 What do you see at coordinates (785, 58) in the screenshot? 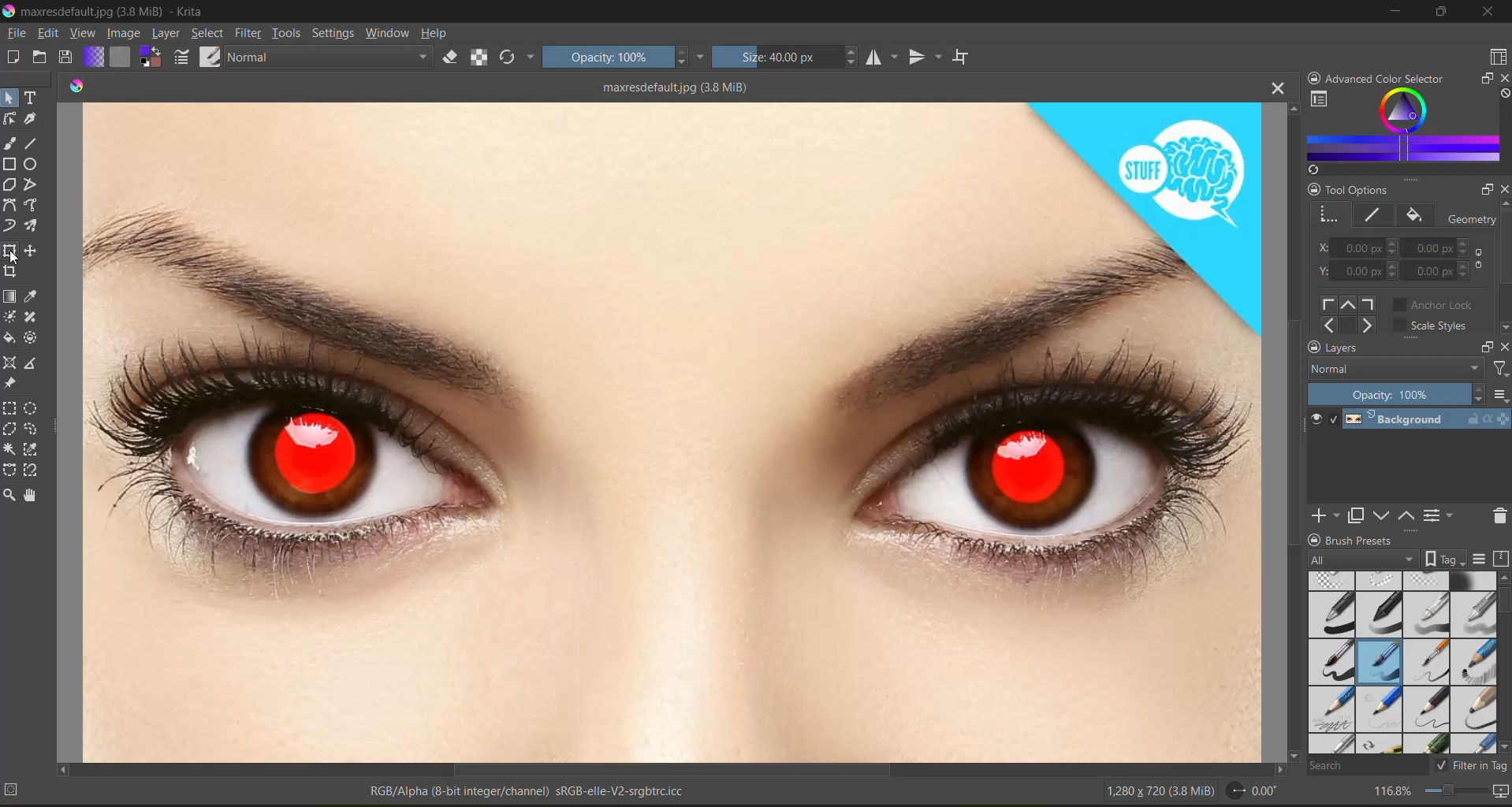
I see `size` at bounding box center [785, 58].